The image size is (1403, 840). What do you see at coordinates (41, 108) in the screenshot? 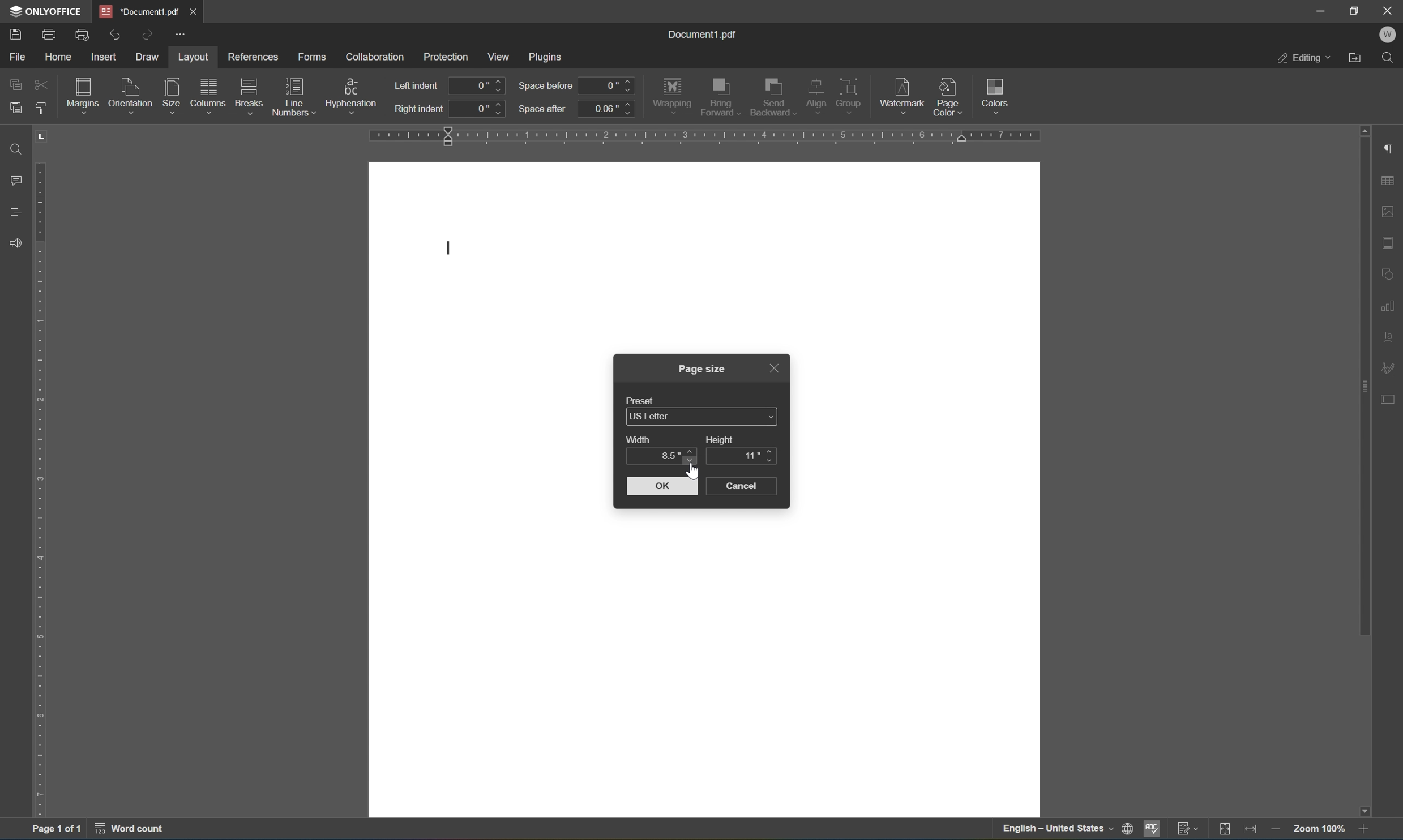
I see `copy style` at bounding box center [41, 108].